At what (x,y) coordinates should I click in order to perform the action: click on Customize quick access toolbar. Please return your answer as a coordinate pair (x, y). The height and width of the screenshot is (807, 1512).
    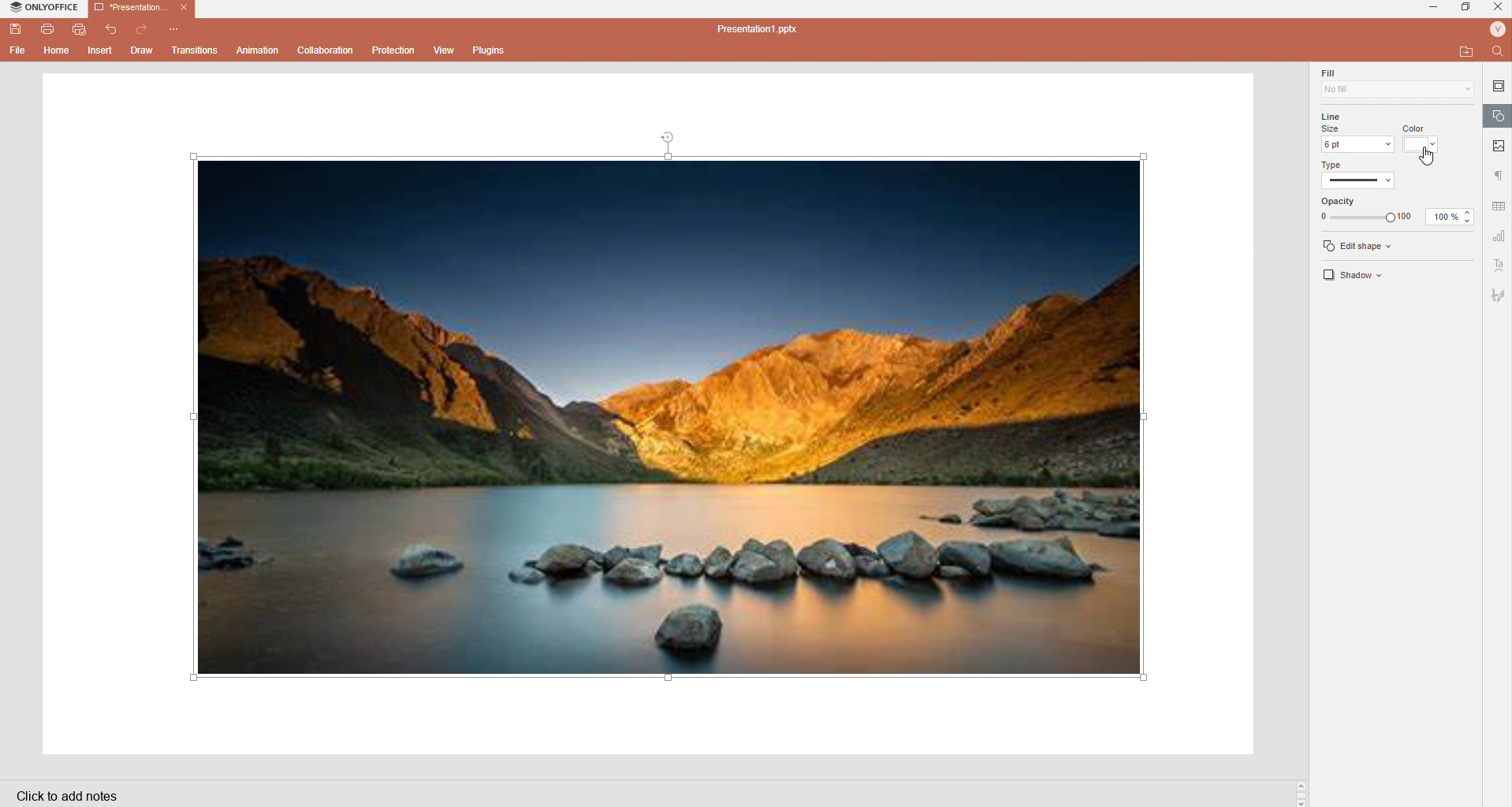
    Looking at the image, I should click on (176, 28).